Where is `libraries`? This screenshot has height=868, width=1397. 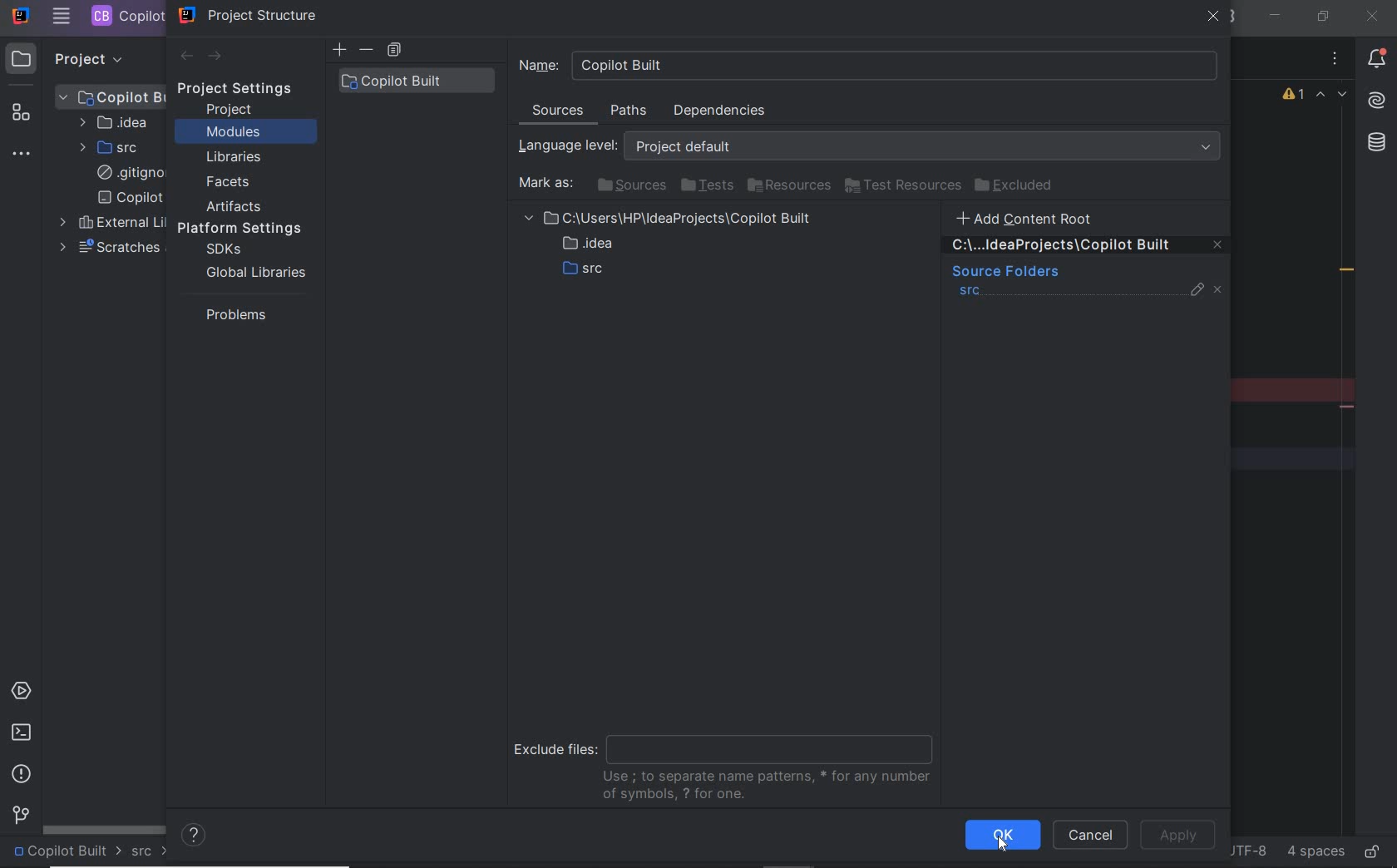 libraries is located at coordinates (234, 158).